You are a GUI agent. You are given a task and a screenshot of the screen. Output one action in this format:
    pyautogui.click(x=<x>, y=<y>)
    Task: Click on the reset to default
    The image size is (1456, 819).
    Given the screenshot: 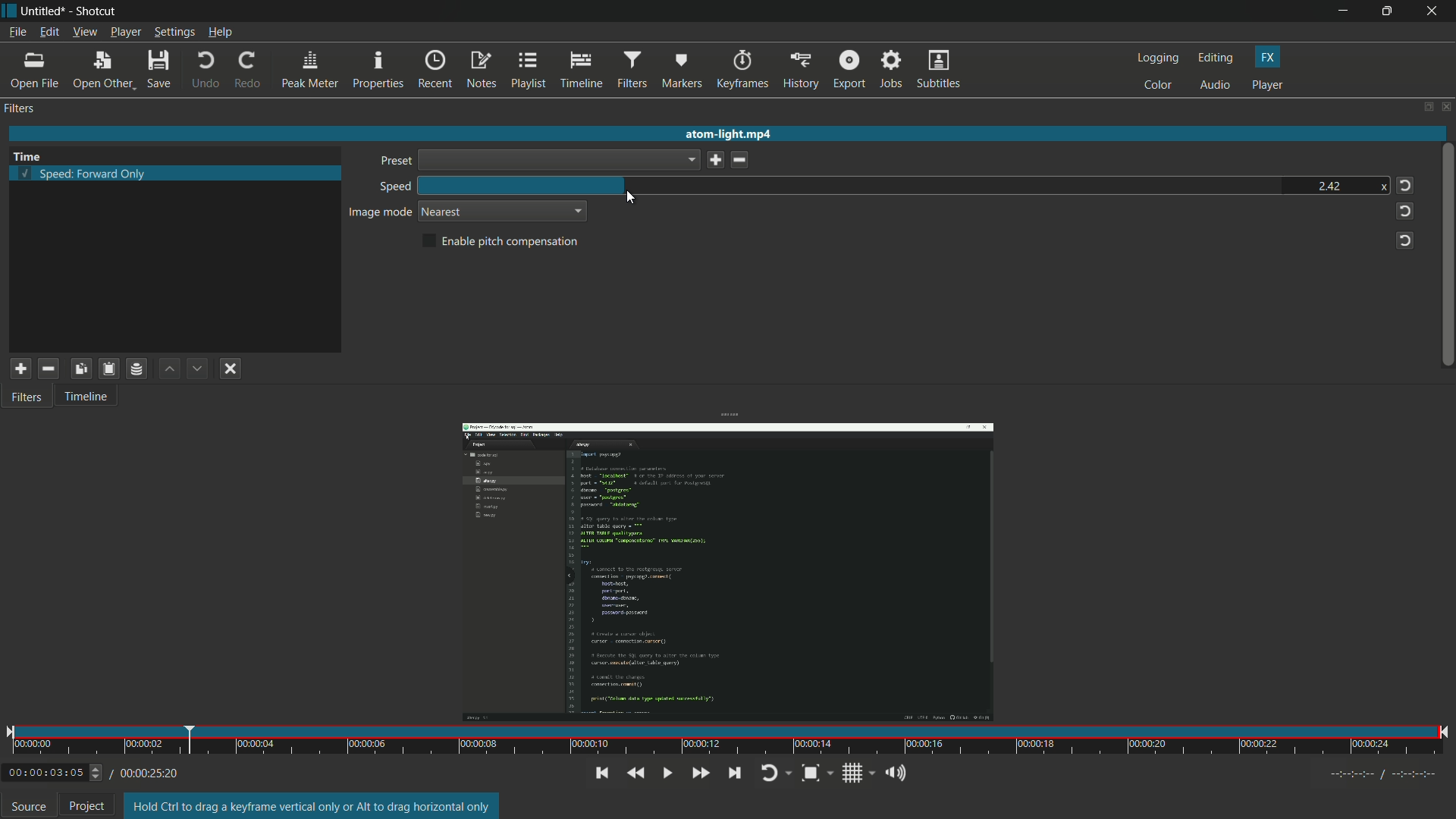 What is the action you would take?
    pyautogui.click(x=1404, y=185)
    